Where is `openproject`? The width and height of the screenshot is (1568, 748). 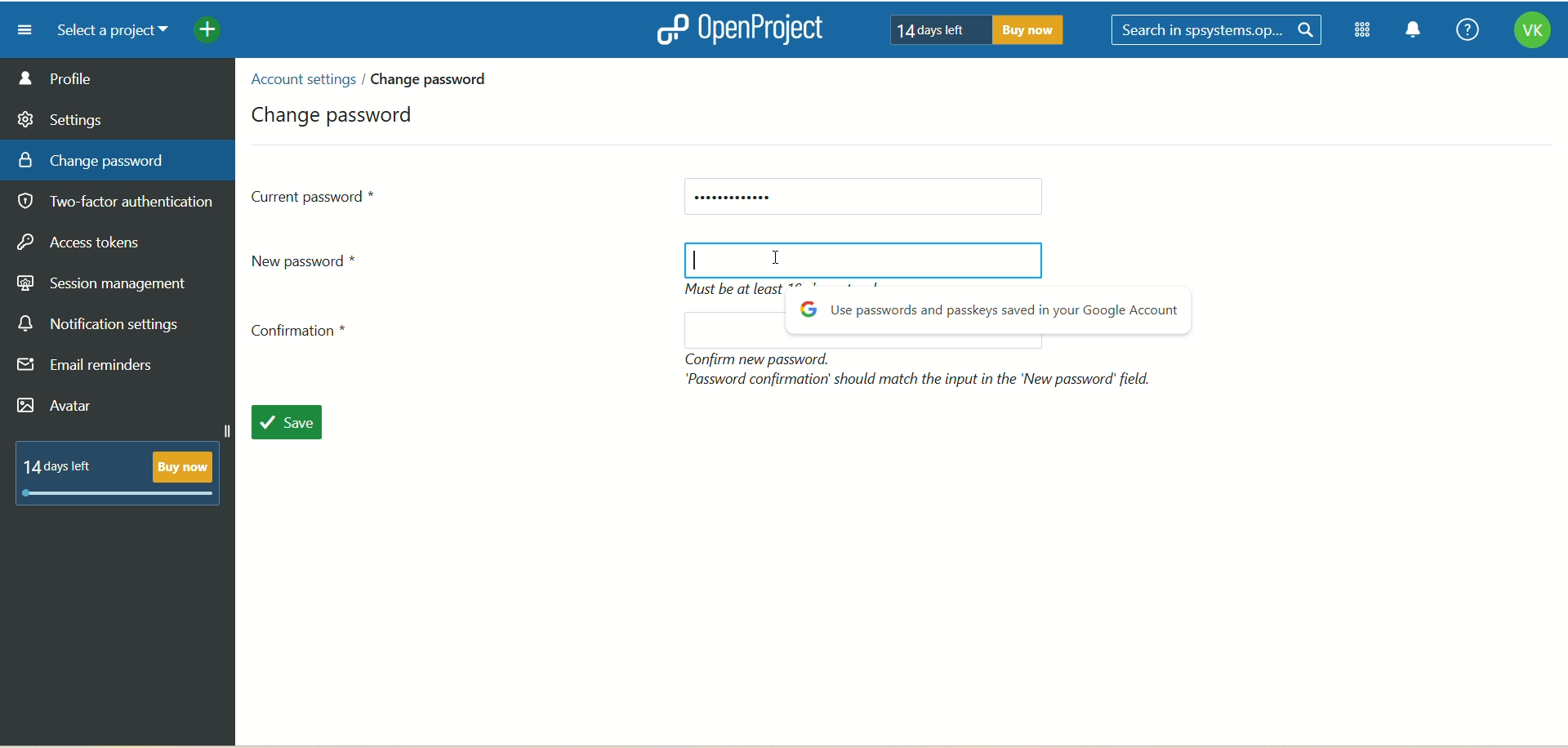 openproject is located at coordinates (736, 29).